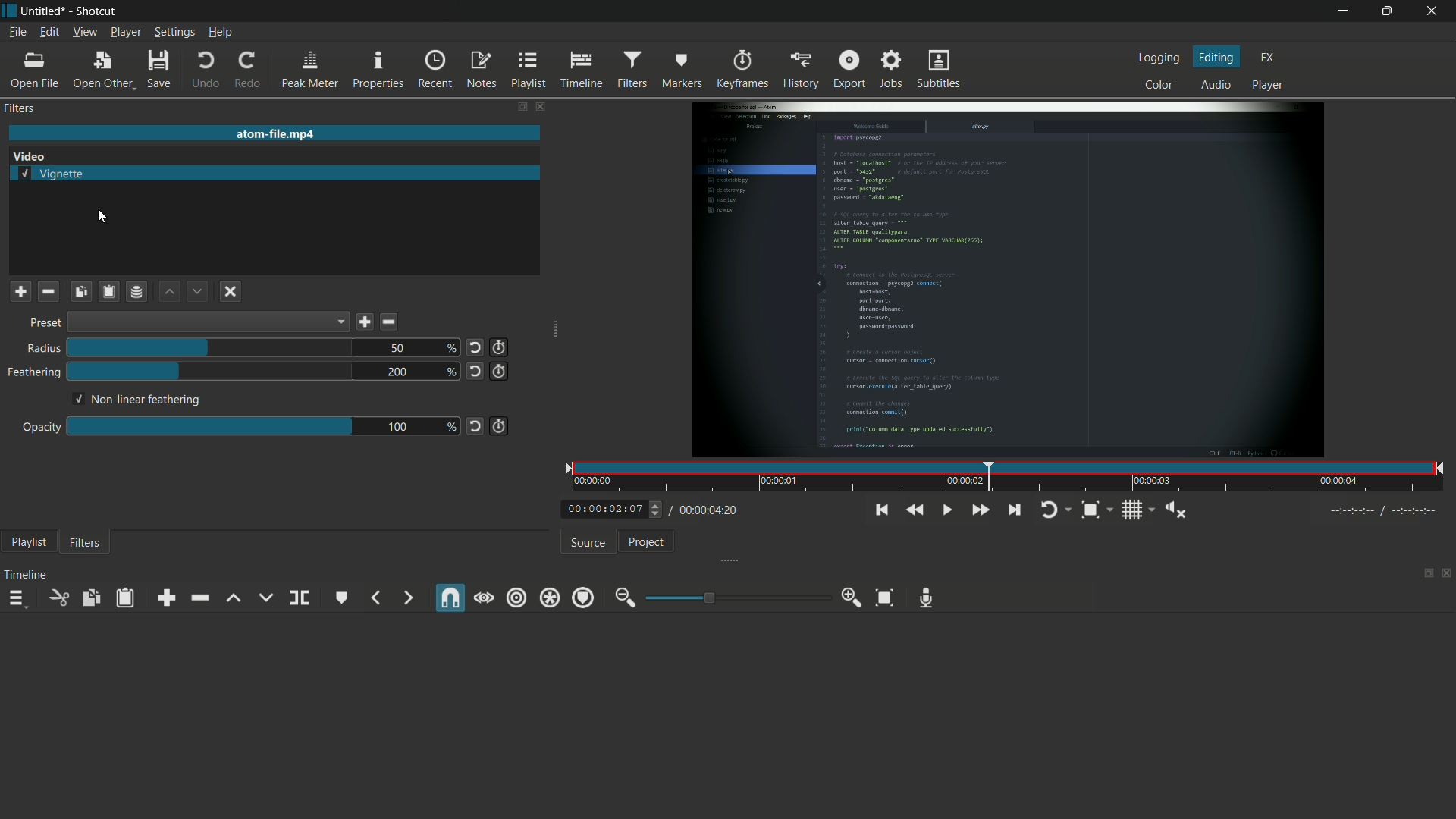 The image size is (1456, 819). Describe the element at coordinates (58, 598) in the screenshot. I see `cut` at that location.